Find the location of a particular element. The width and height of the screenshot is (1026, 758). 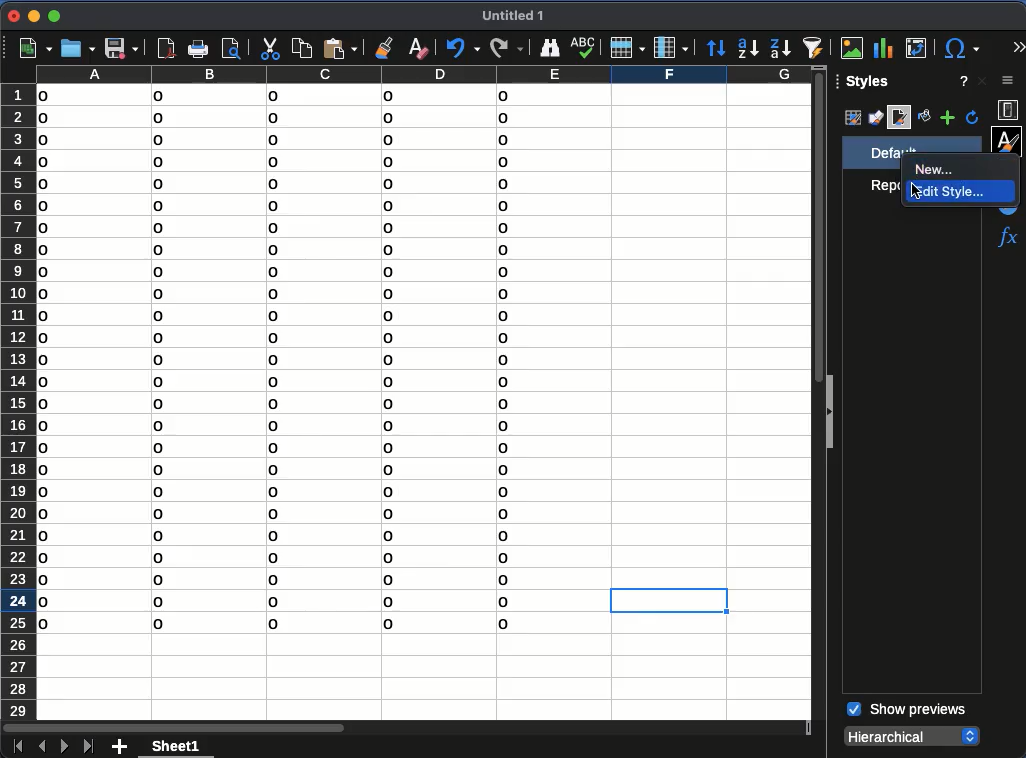

special character is located at coordinates (961, 48).